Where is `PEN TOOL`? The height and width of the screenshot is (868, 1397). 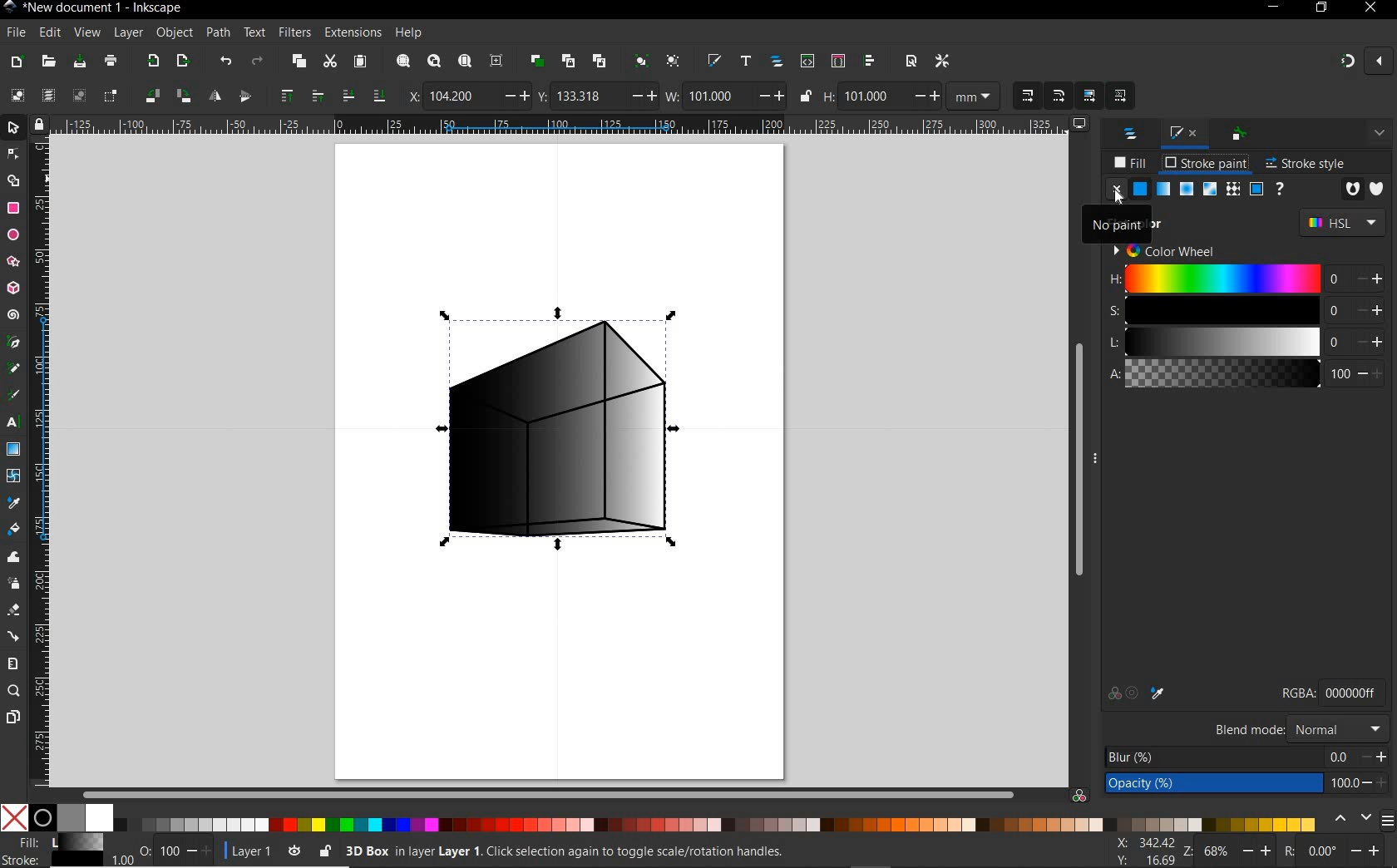 PEN TOOL is located at coordinates (15, 343).